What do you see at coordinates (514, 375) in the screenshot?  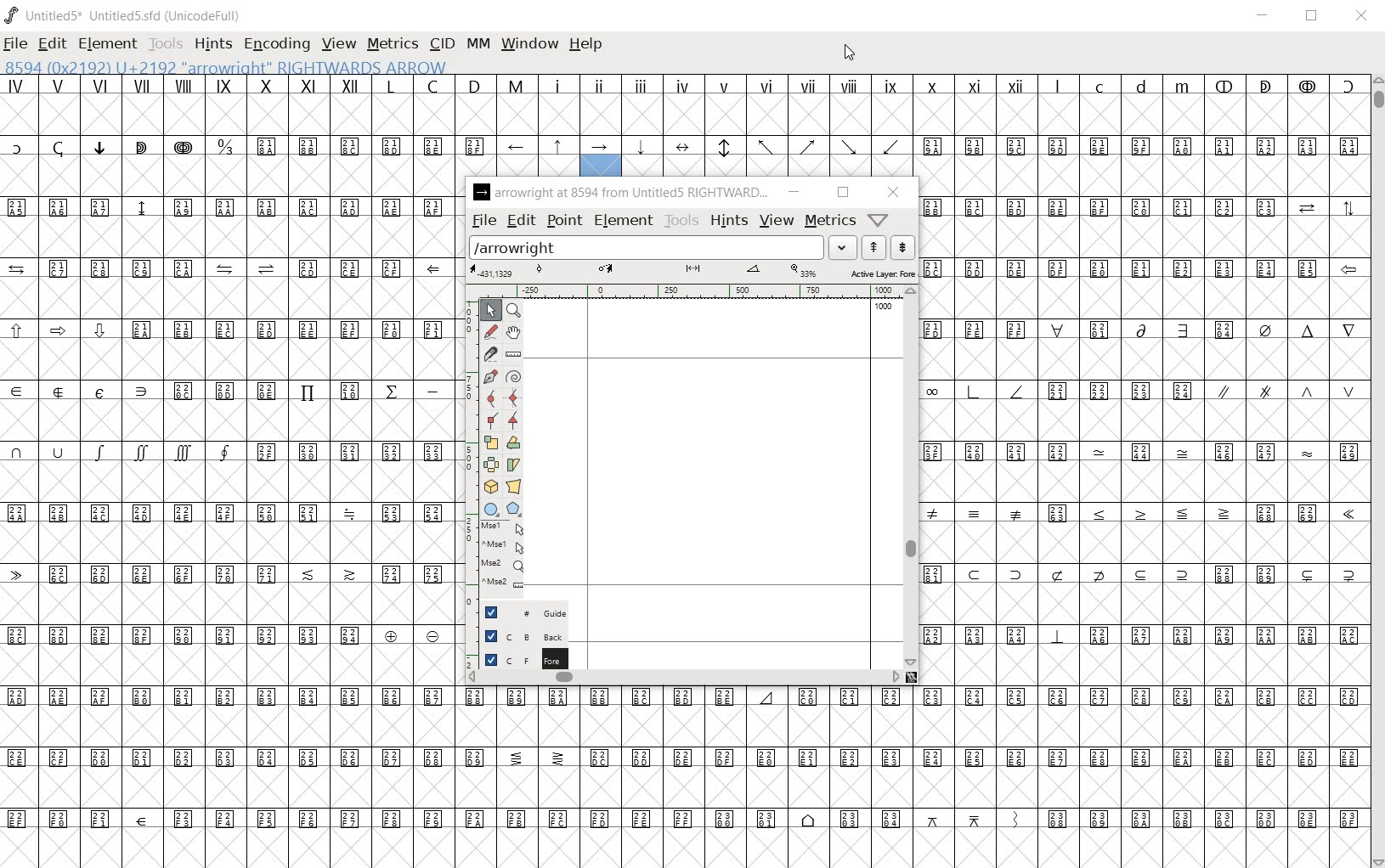 I see `change whether spiro is active or not` at bounding box center [514, 375].